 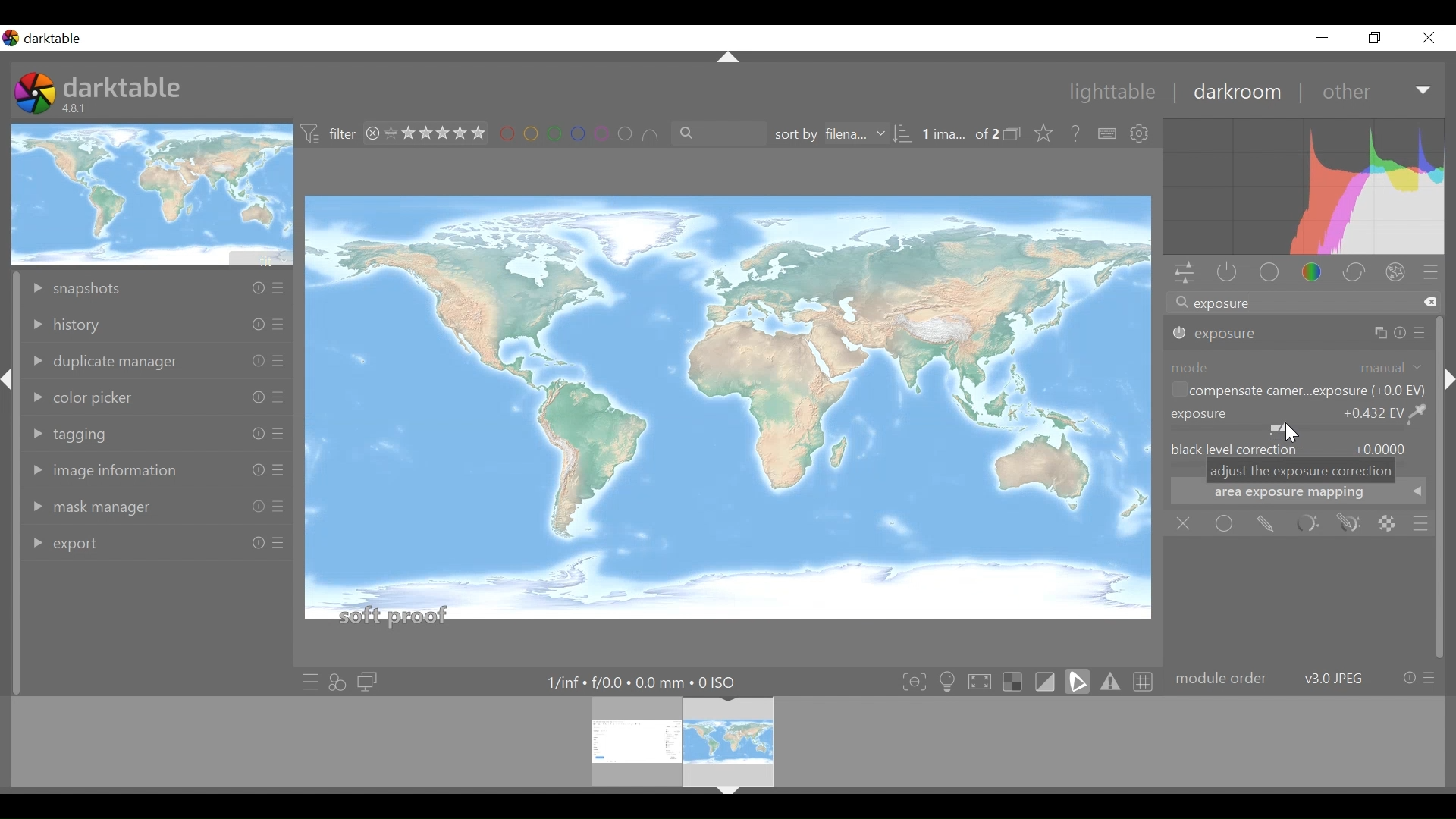 What do you see at coordinates (730, 795) in the screenshot?
I see `` at bounding box center [730, 795].